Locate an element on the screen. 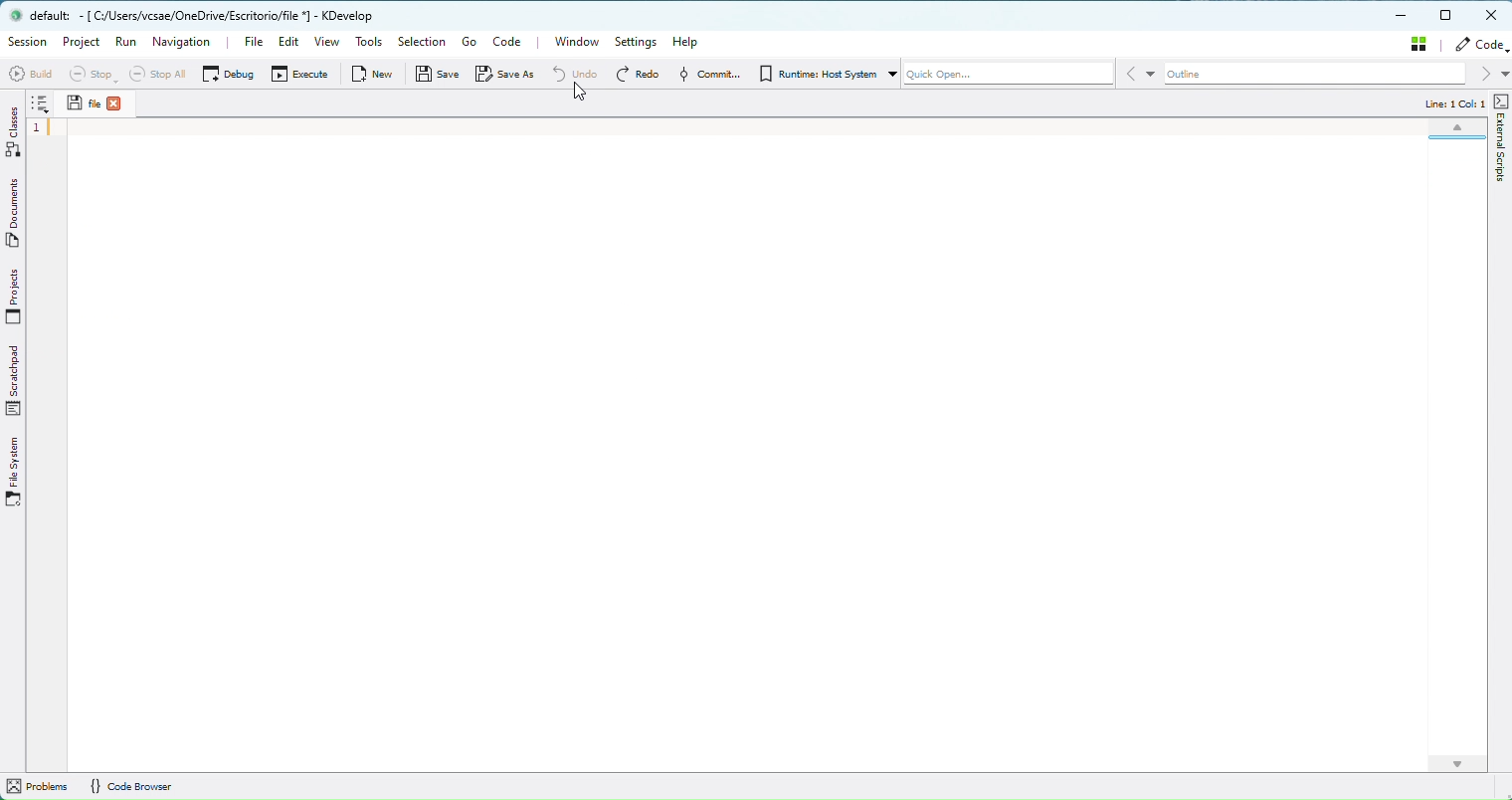 This screenshot has height=800, width=1512. File is located at coordinates (251, 43).